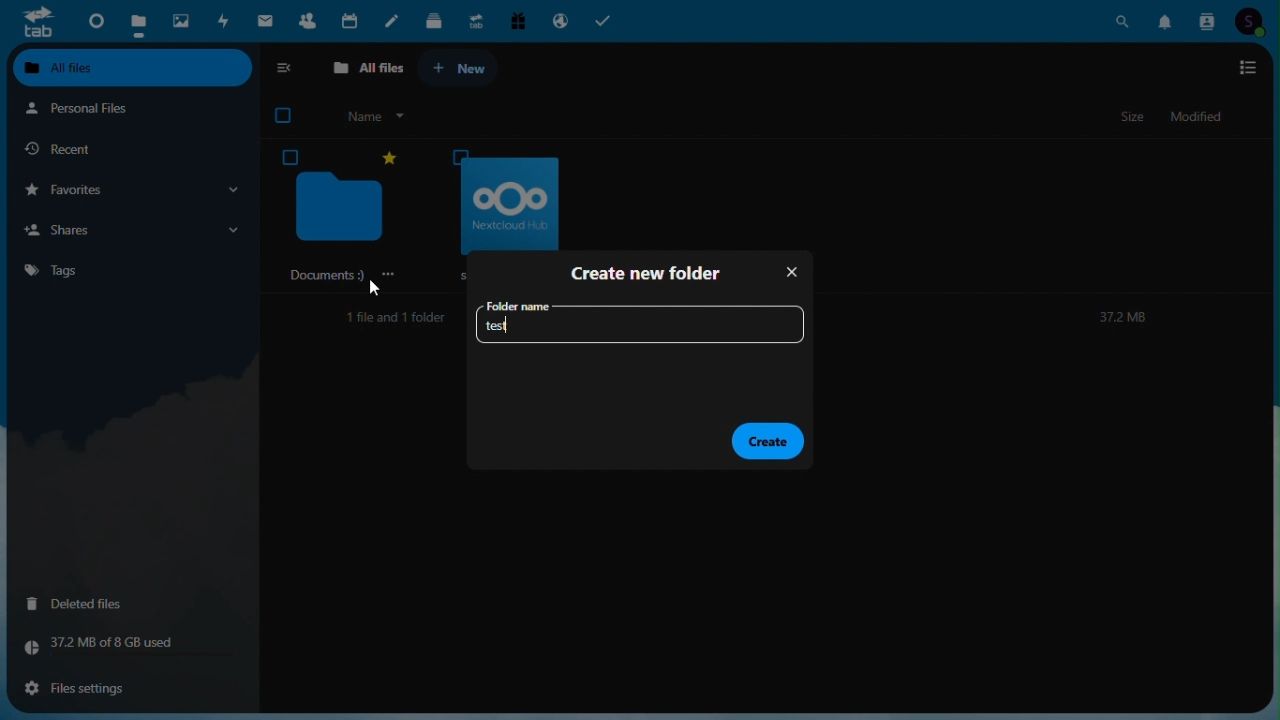 Image resolution: width=1280 pixels, height=720 pixels. What do you see at coordinates (561, 19) in the screenshot?
I see `Email hosting` at bounding box center [561, 19].